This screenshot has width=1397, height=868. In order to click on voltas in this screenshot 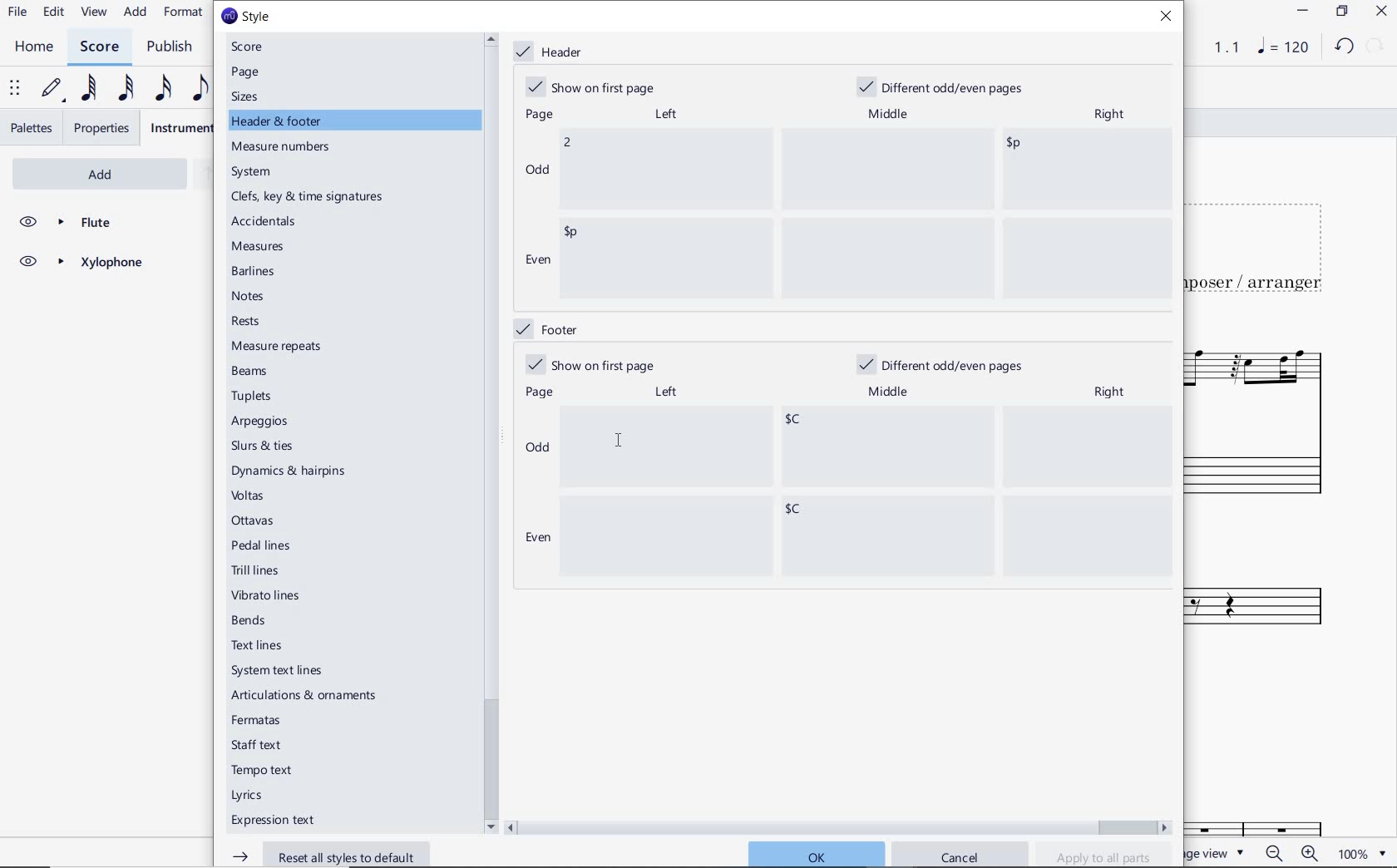, I will do `click(249, 496)`.